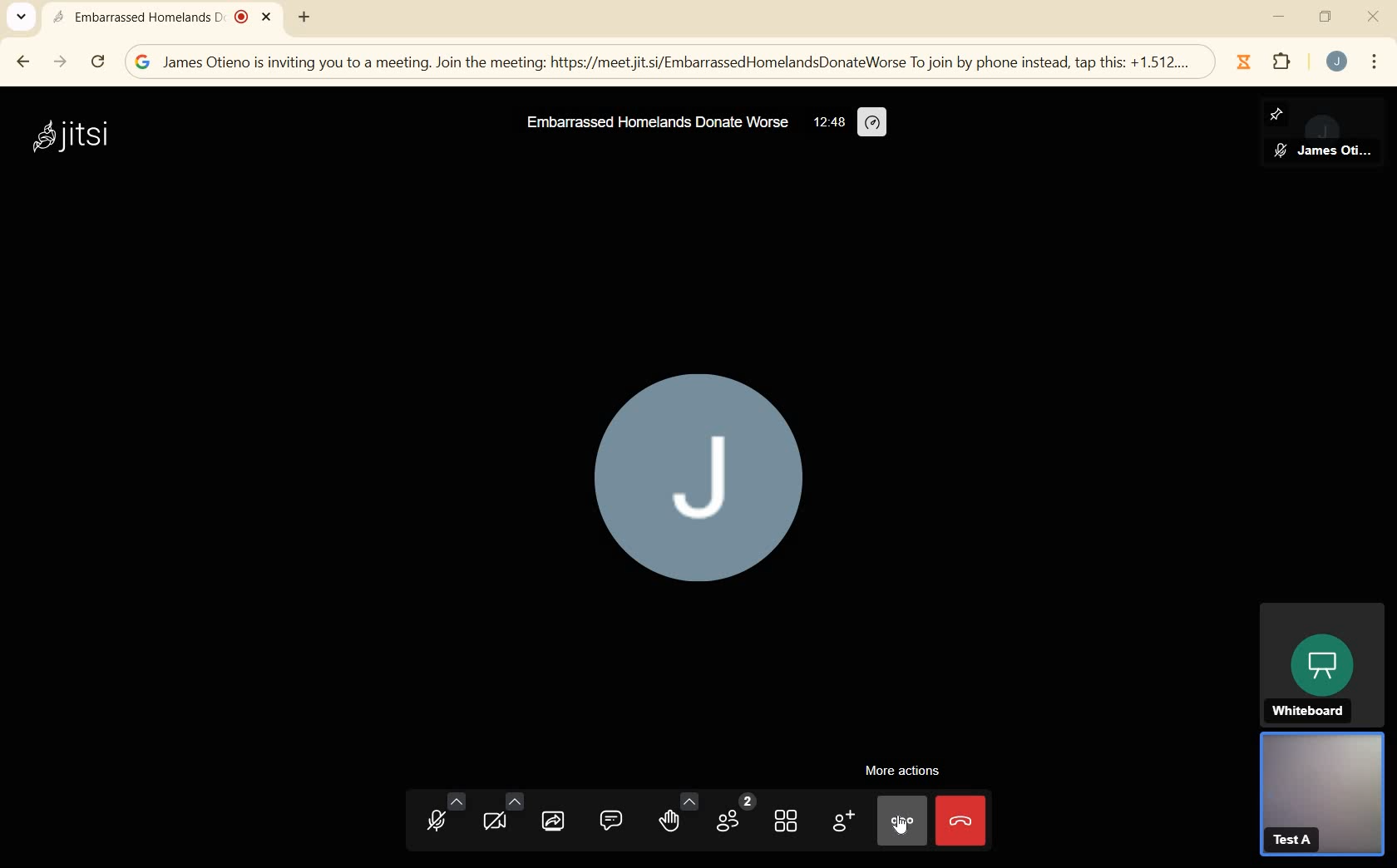 This screenshot has height=868, width=1397. Describe the element at coordinates (1242, 62) in the screenshot. I see `Jibble` at that location.